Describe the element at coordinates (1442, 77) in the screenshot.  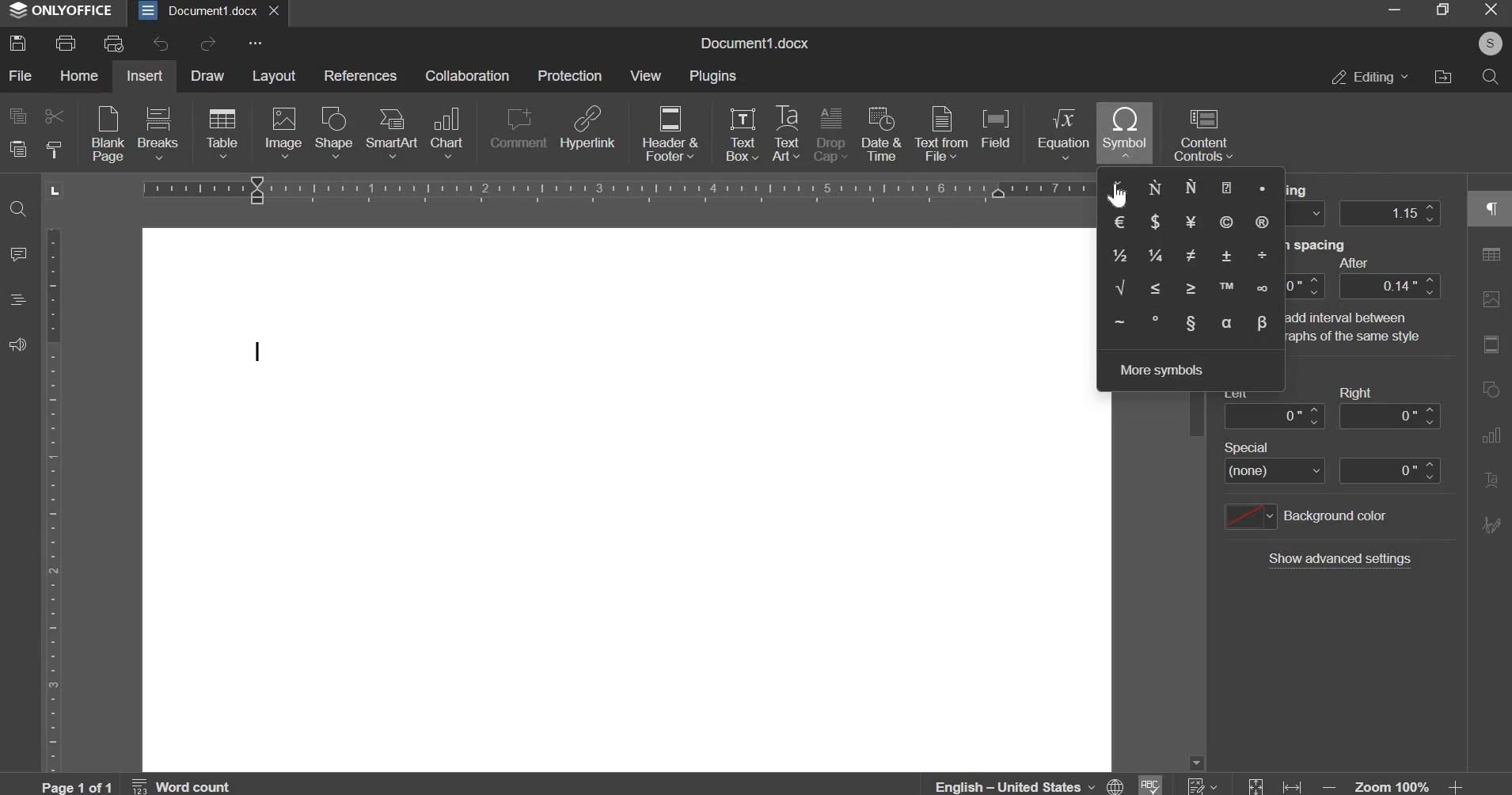
I see `file location` at that location.